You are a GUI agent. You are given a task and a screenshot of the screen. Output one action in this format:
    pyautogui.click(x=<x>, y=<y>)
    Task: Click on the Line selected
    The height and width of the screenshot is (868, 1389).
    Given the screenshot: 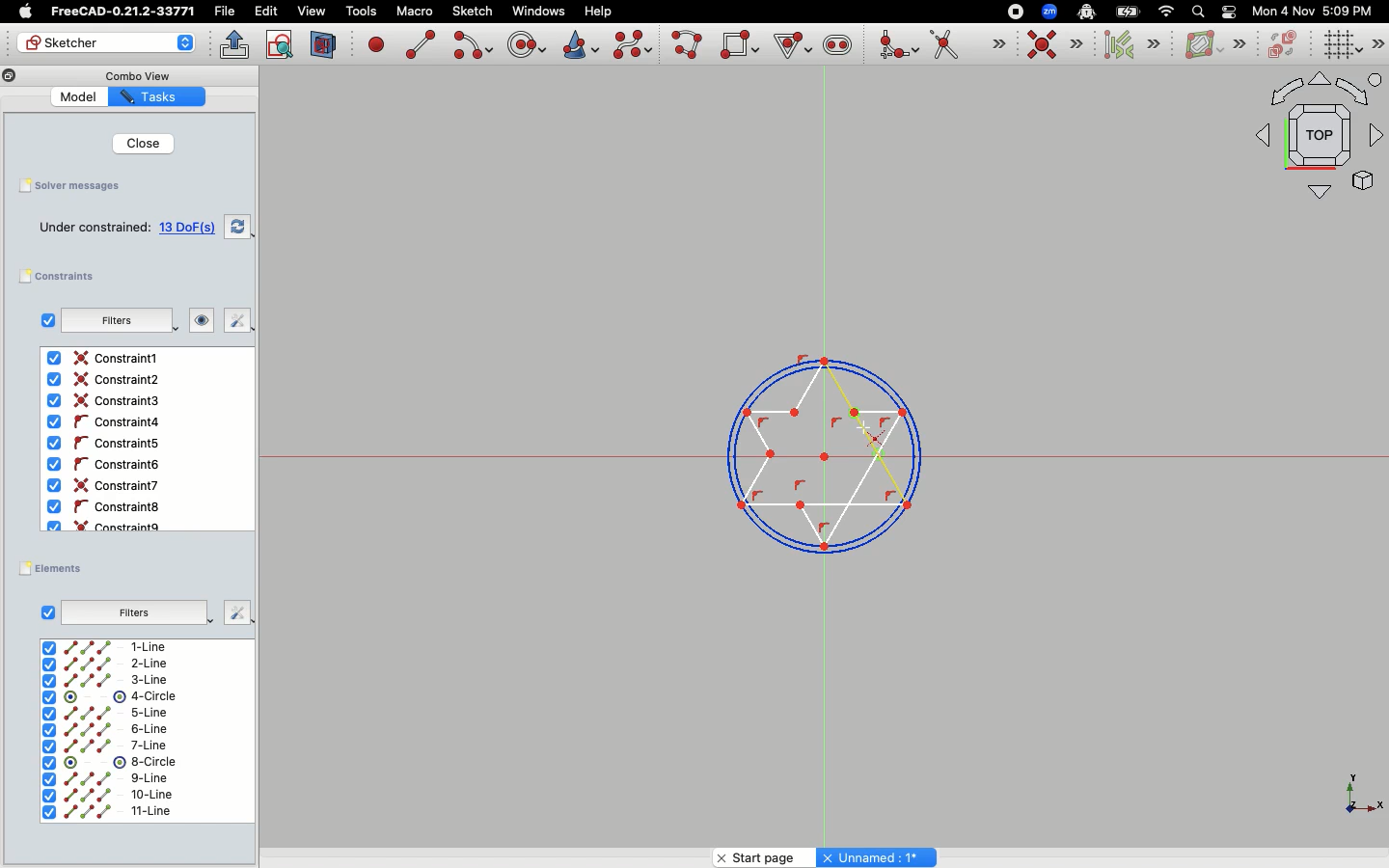 What is the action you would take?
    pyautogui.click(x=813, y=444)
    